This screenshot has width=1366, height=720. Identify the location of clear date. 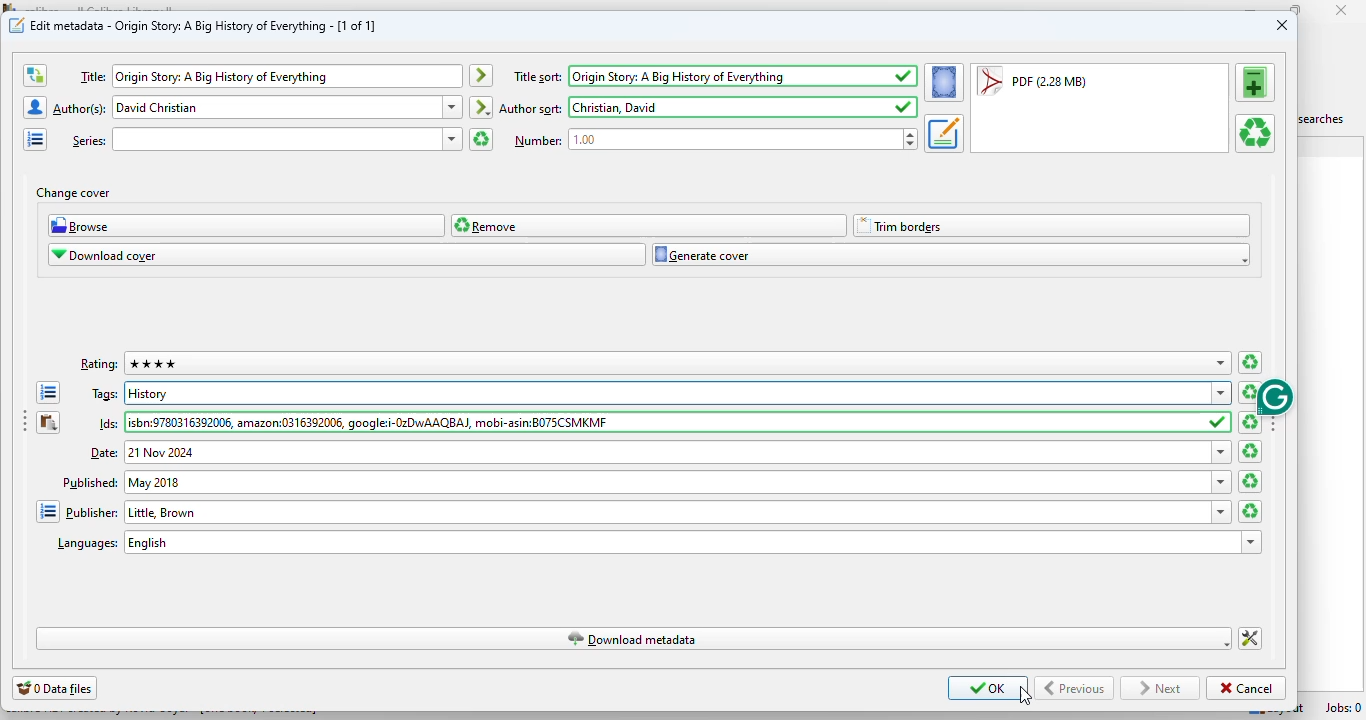
(1251, 481).